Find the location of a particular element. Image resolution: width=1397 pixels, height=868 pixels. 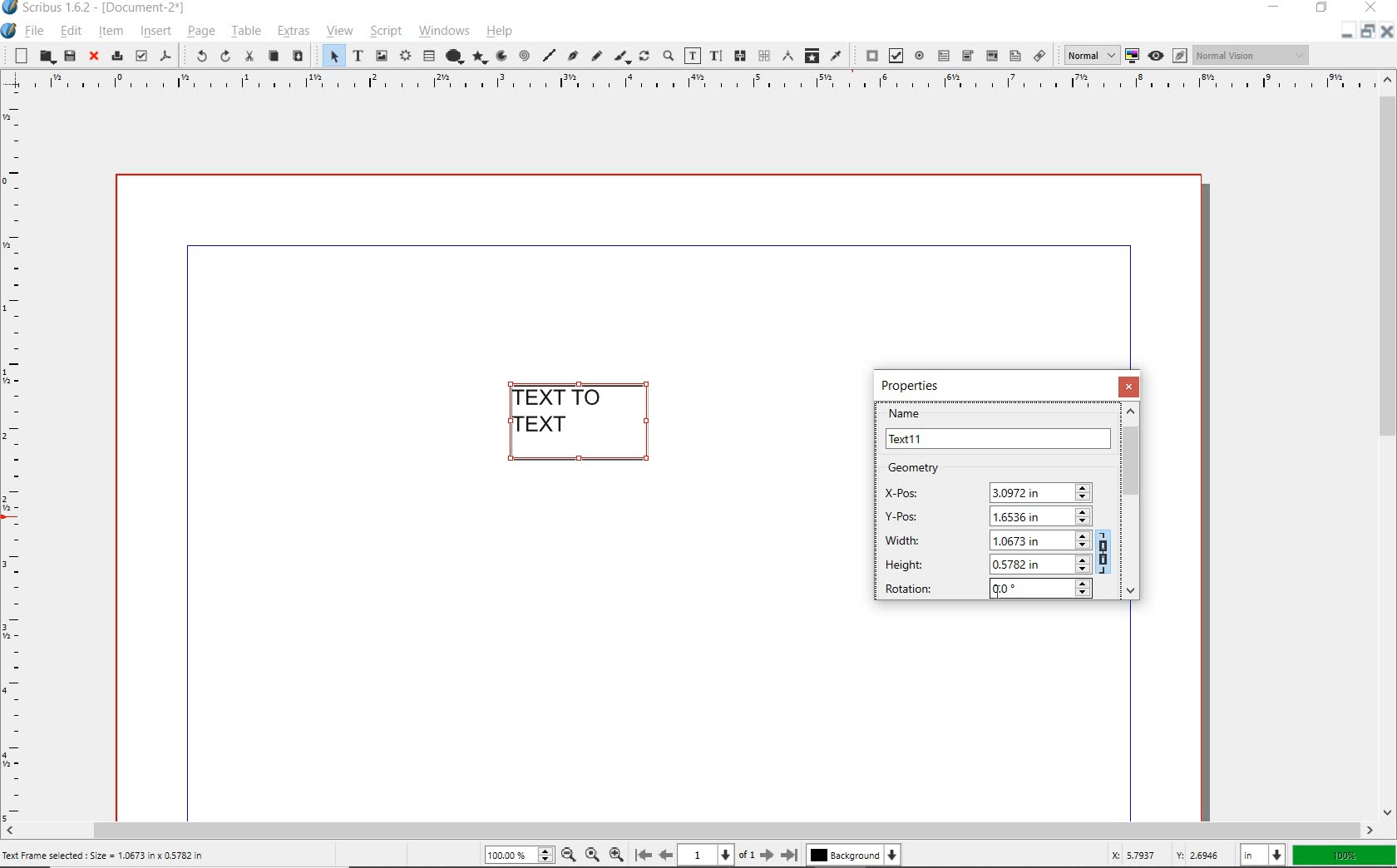

coordinates is located at coordinates (1163, 855).